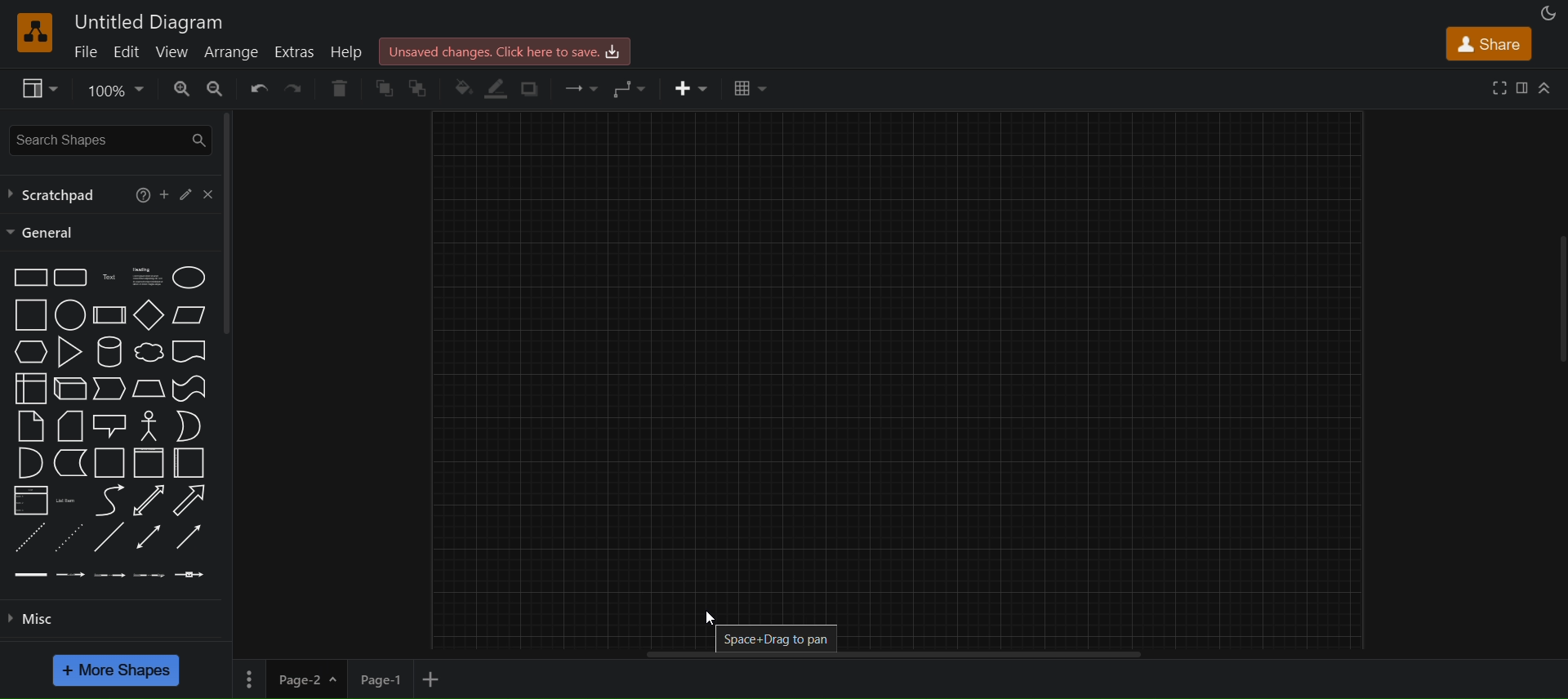  I want to click on page 2, so click(310, 679).